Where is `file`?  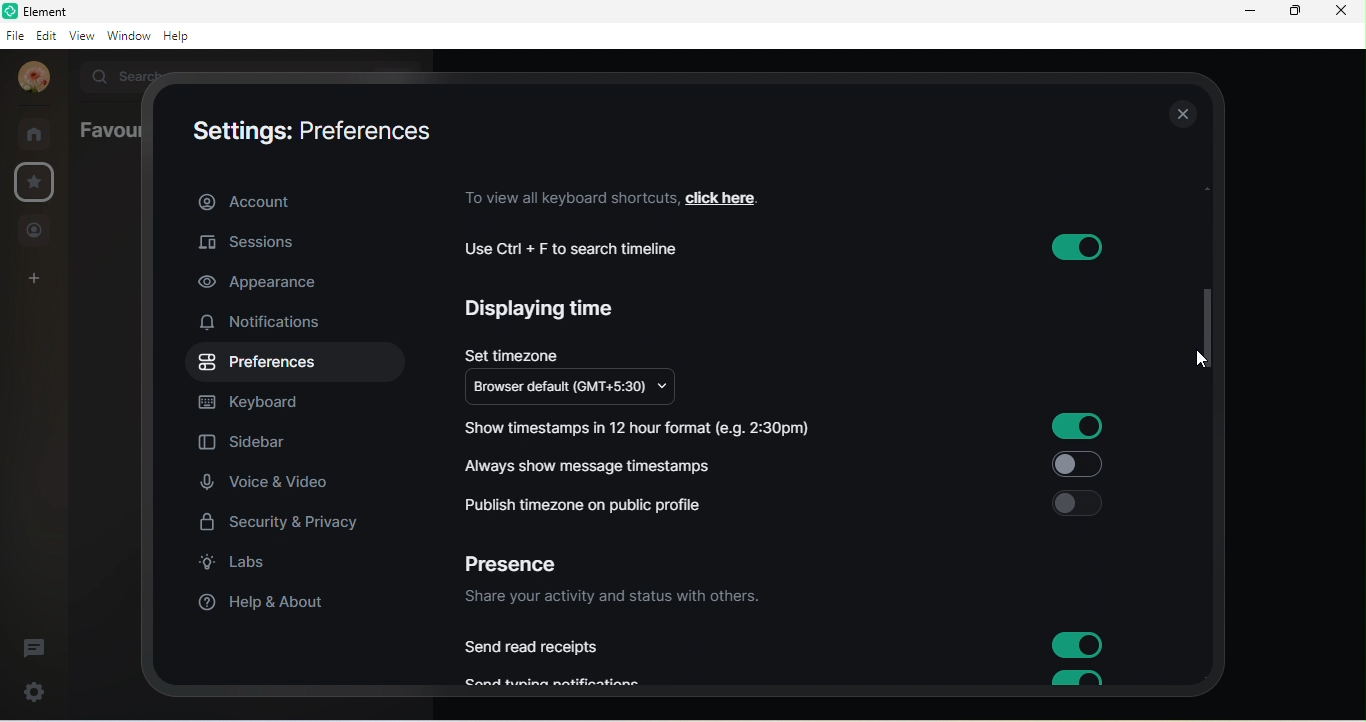
file is located at coordinates (14, 35).